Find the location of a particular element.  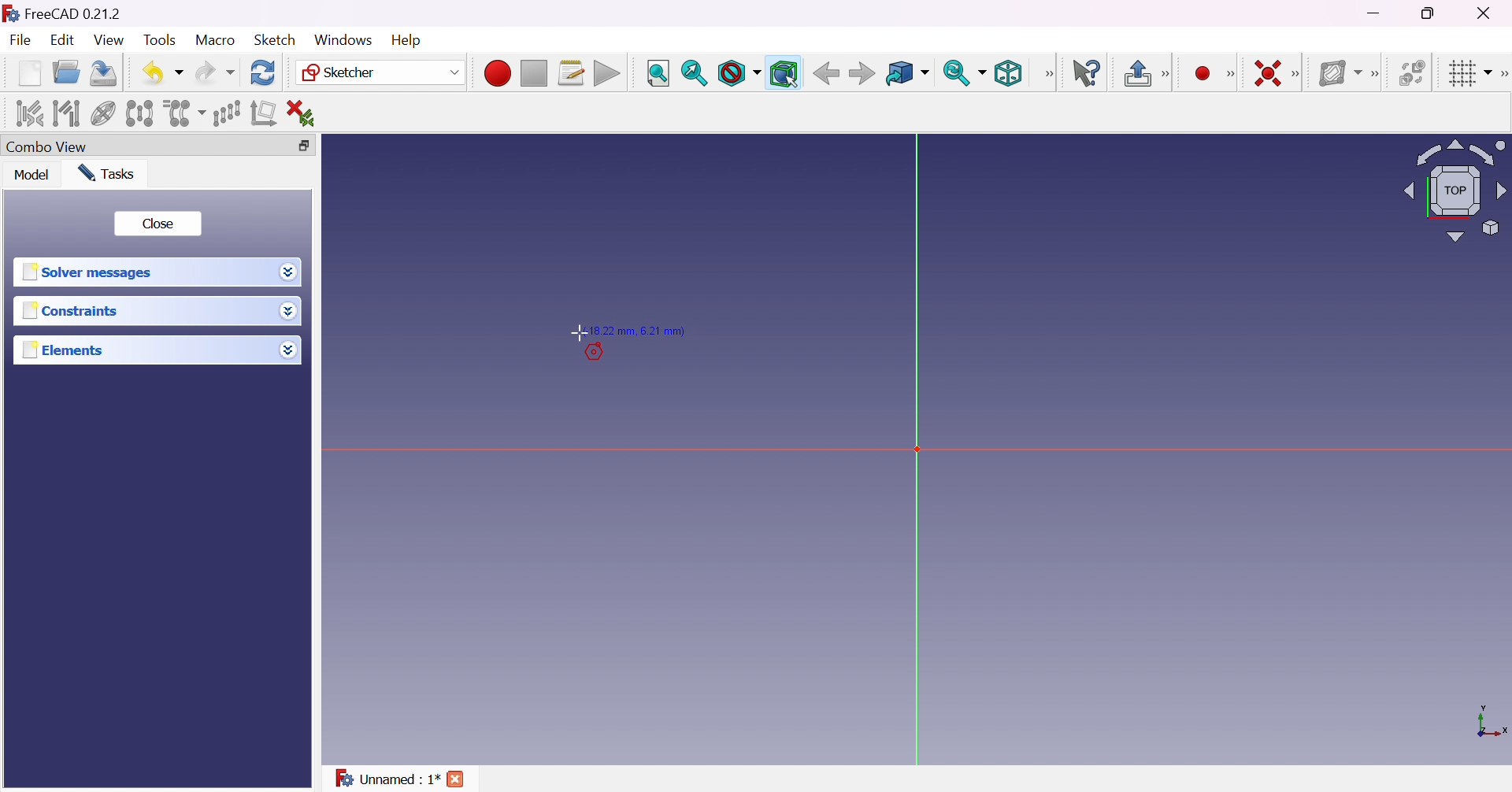

Select associated geometry is located at coordinates (66, 113).